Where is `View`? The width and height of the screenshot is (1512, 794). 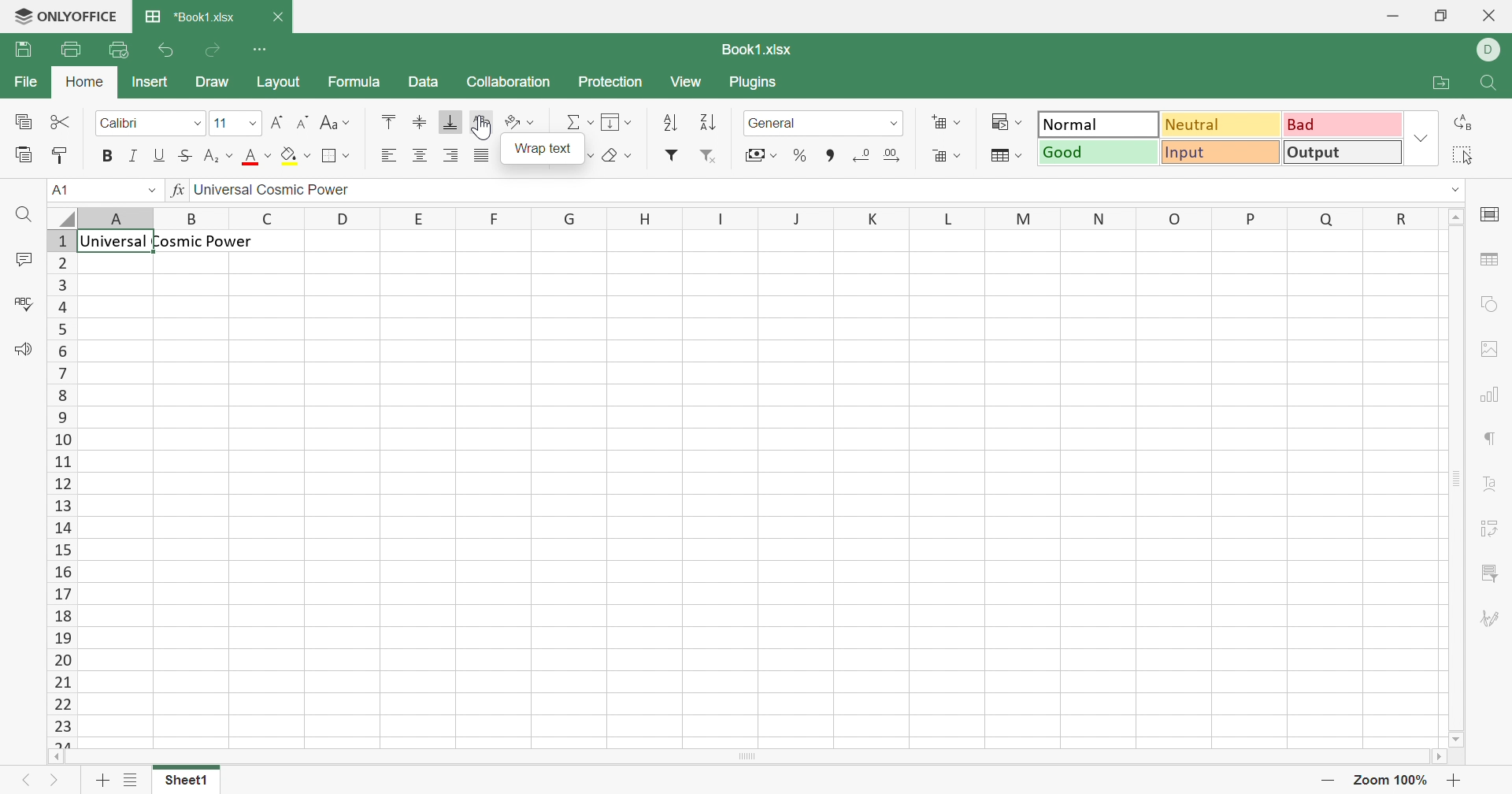 View is located at coordinates (692, 82).